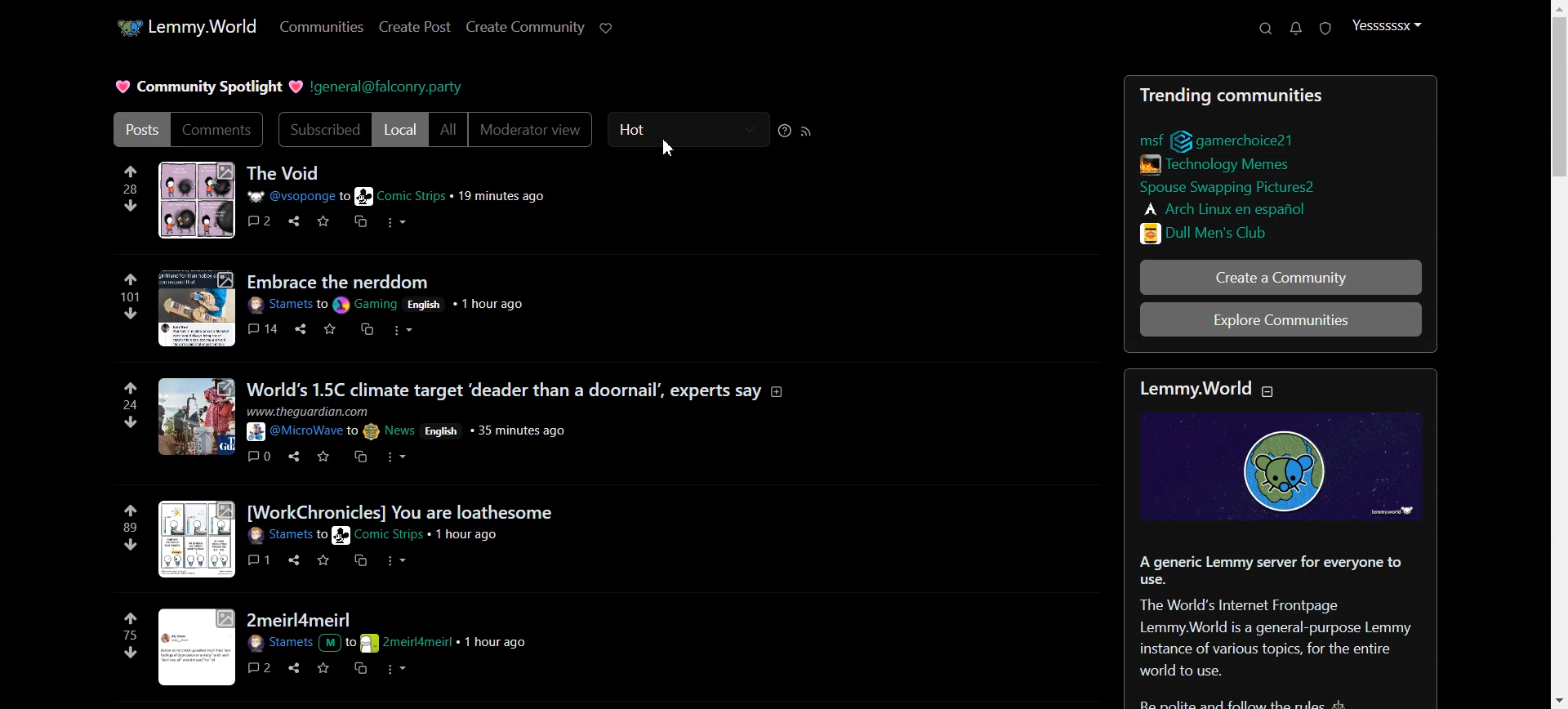 This screenshot has width=1568, height=709. I want to click on downvote, so click(130, 314).